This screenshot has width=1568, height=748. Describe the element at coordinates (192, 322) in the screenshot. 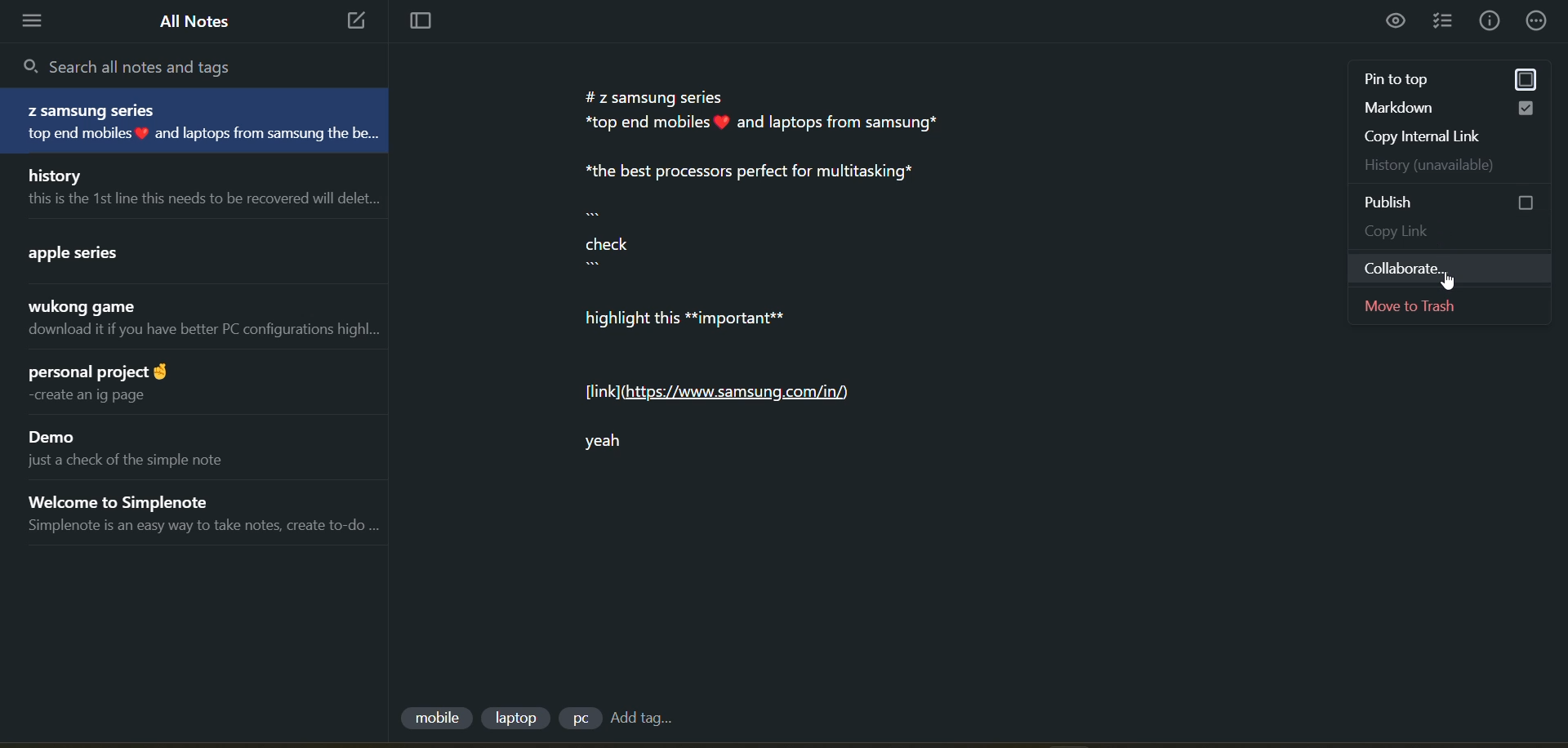

I see `note title and preview` at that location.